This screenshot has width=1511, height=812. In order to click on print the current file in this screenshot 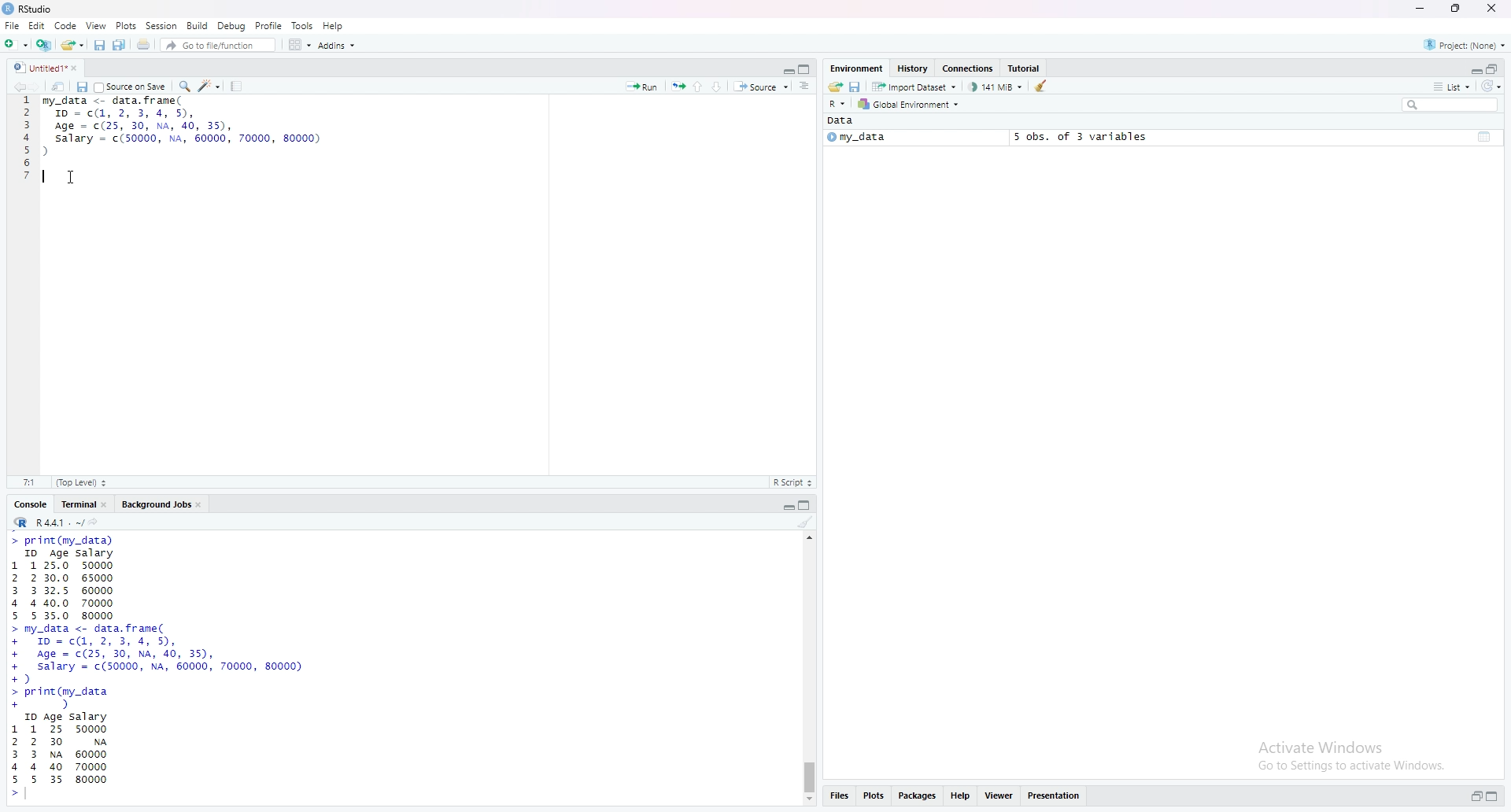, I will do `click(144, 45)`.